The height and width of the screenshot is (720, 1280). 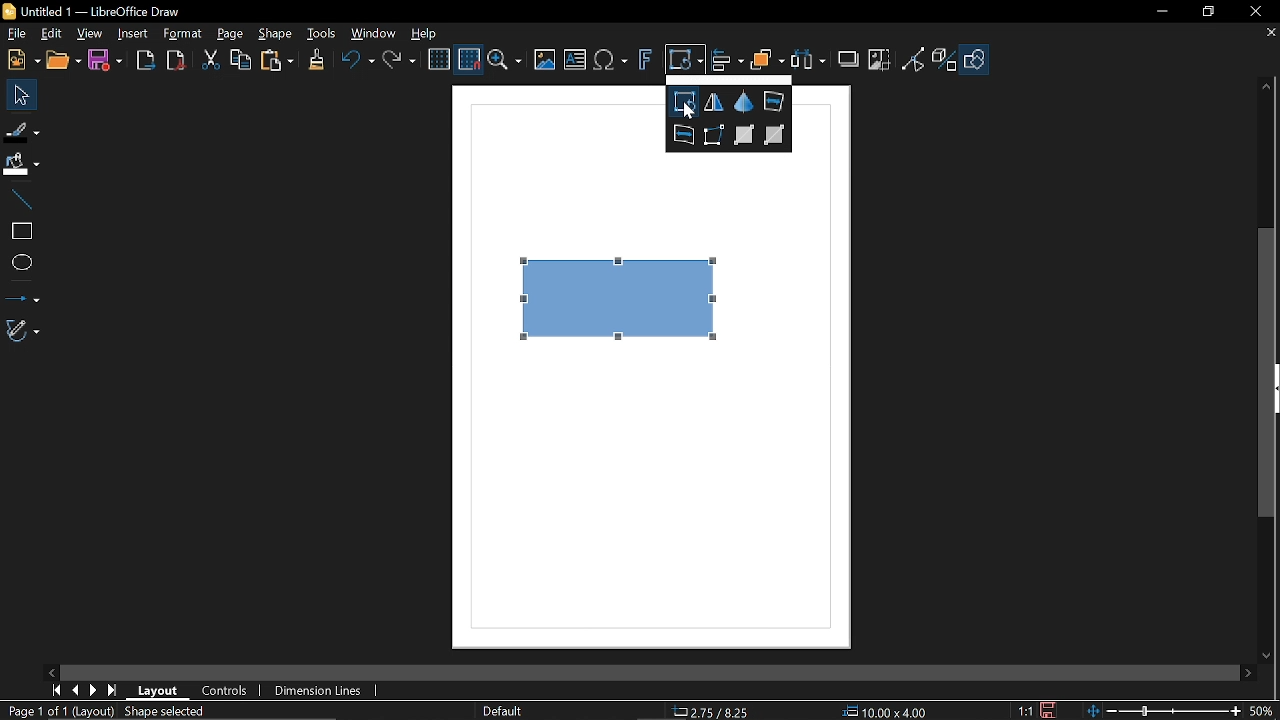 What do you see at coordinates (1250, 674) in the screenshot?
I see `Move right` at bounding box center [1250, 674].